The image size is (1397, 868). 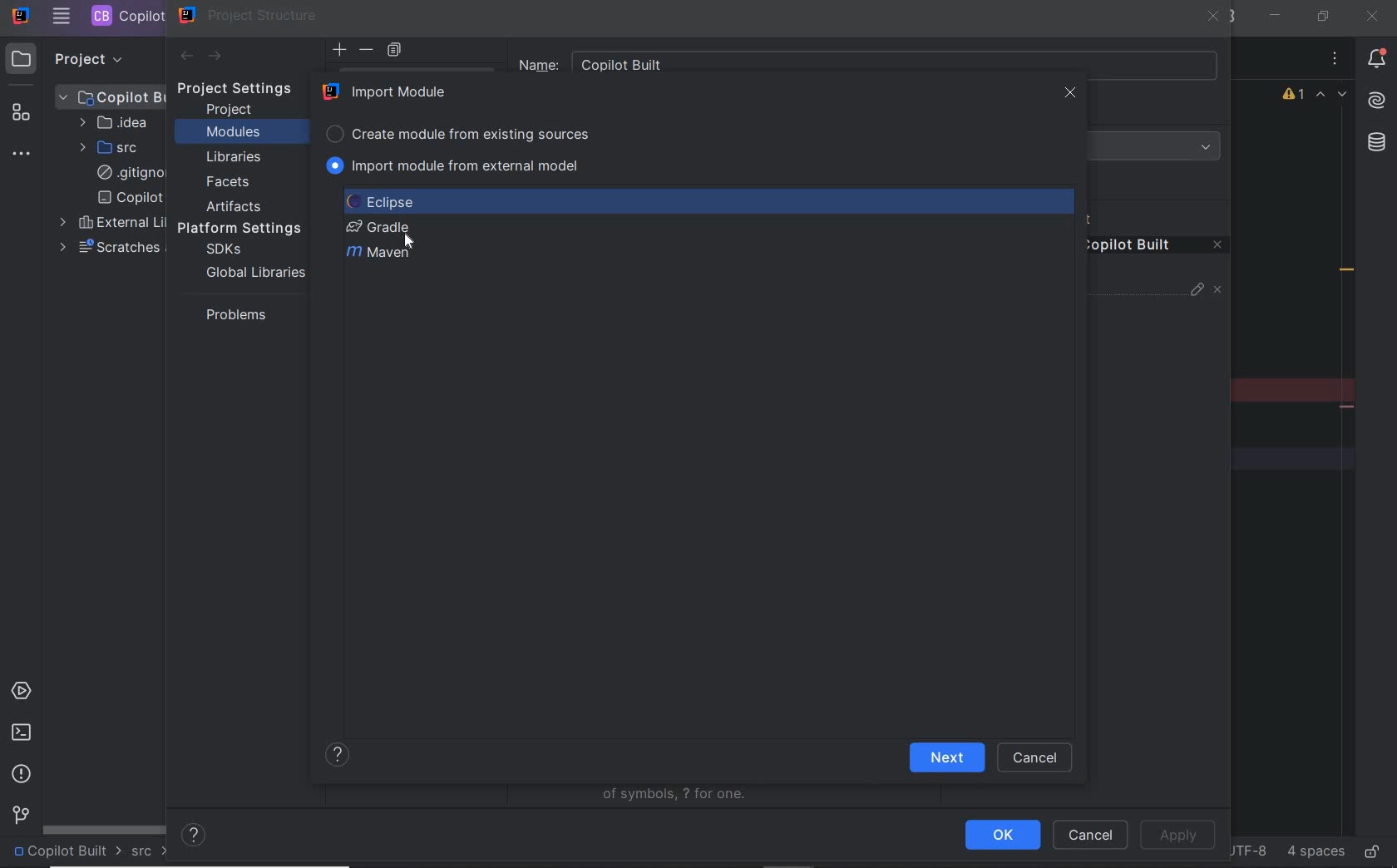 I want to click on show help contents, so click(x=339, y=757).